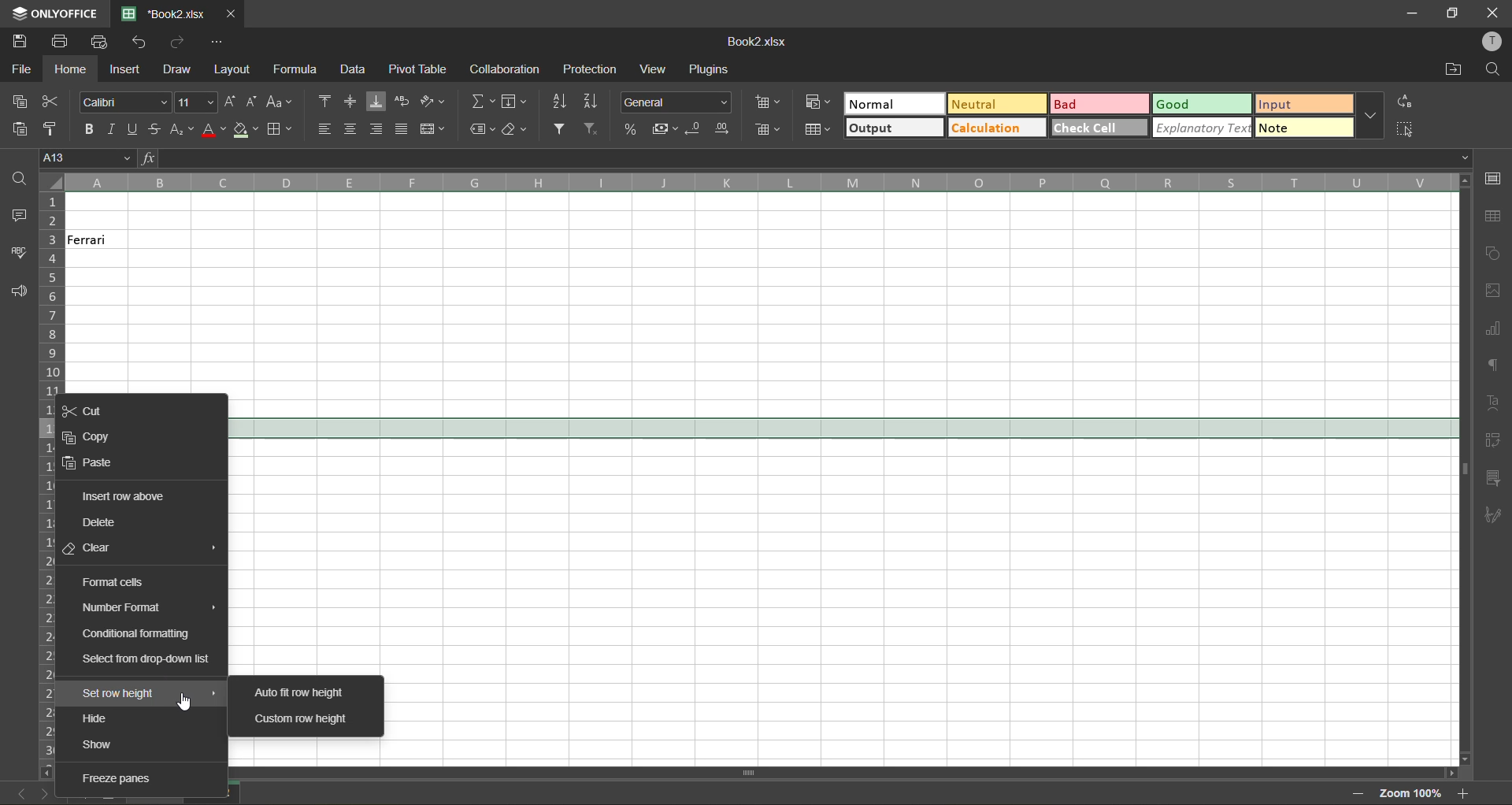 This screenshot has height=805, width=1512. Describe the element at coordinates (417, 69) in the screenshot. I see `pivot table` at that location.